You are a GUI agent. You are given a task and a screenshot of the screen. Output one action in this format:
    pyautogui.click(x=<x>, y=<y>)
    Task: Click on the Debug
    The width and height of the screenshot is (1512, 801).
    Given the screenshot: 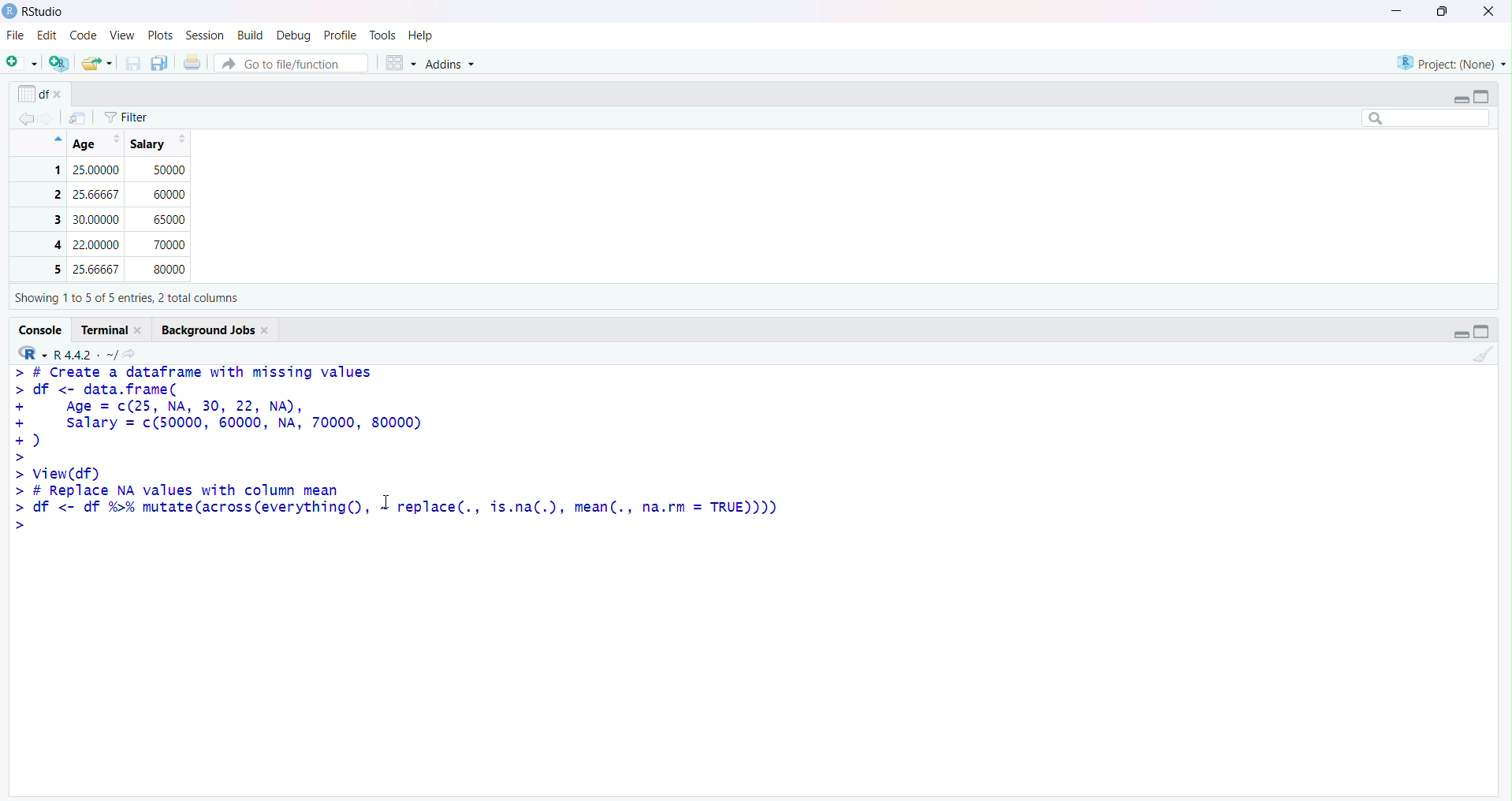 What is the action you would take?
    pyautogui.click(x=296, y=35)
    